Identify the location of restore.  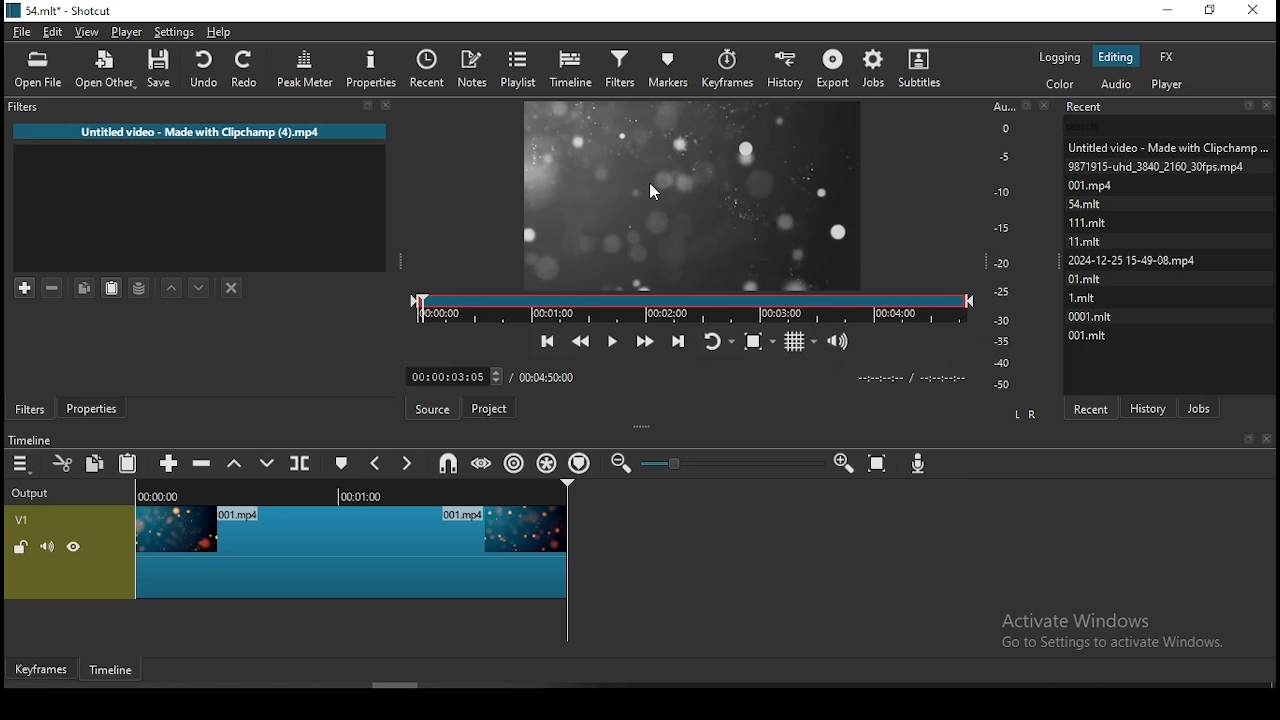
(1211, 11).